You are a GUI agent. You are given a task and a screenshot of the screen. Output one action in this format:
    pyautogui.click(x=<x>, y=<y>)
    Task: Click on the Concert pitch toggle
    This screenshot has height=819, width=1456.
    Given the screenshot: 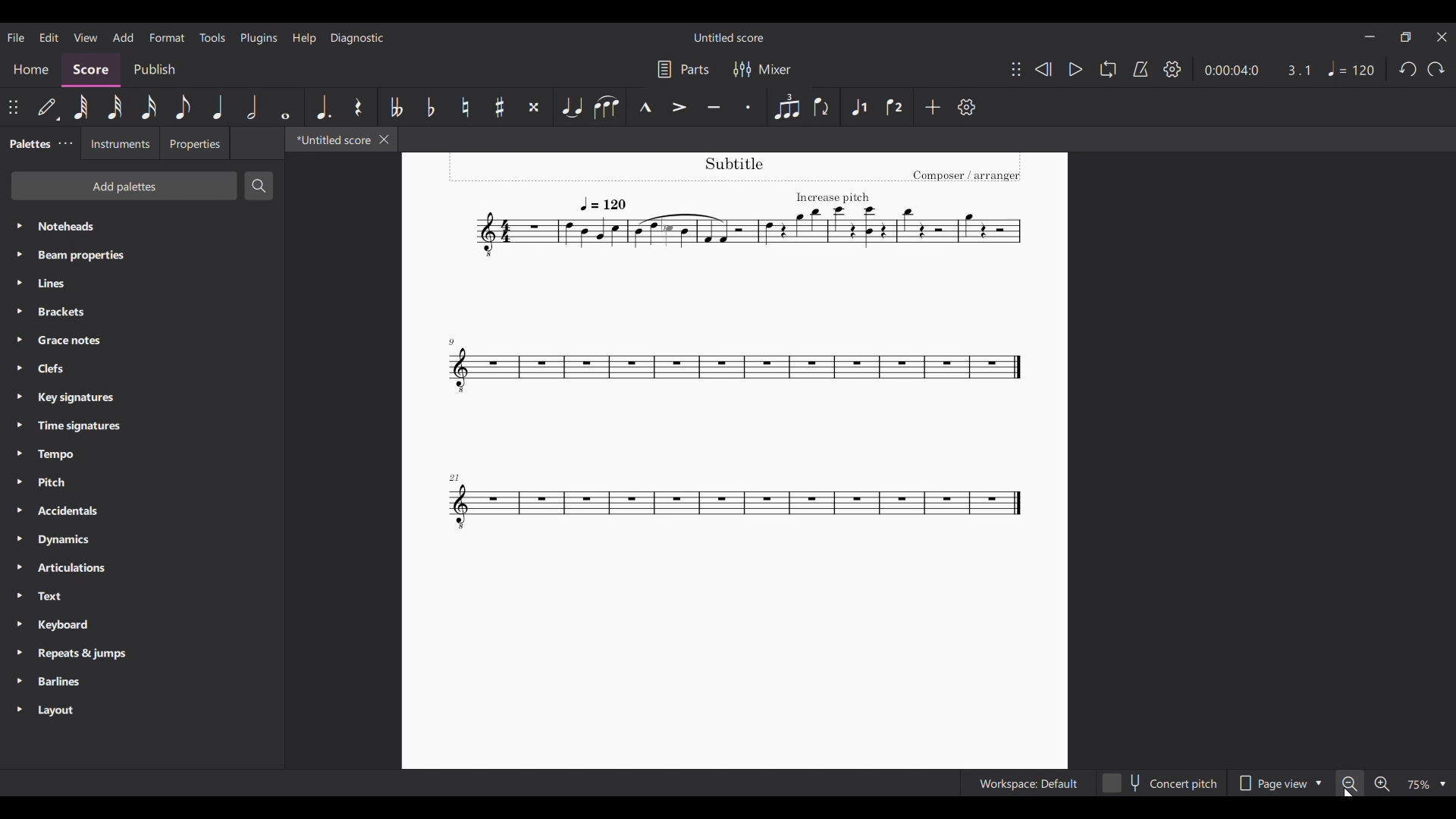 What is the action you would take?
    pyautogui.click(x=1162, y=783)
    